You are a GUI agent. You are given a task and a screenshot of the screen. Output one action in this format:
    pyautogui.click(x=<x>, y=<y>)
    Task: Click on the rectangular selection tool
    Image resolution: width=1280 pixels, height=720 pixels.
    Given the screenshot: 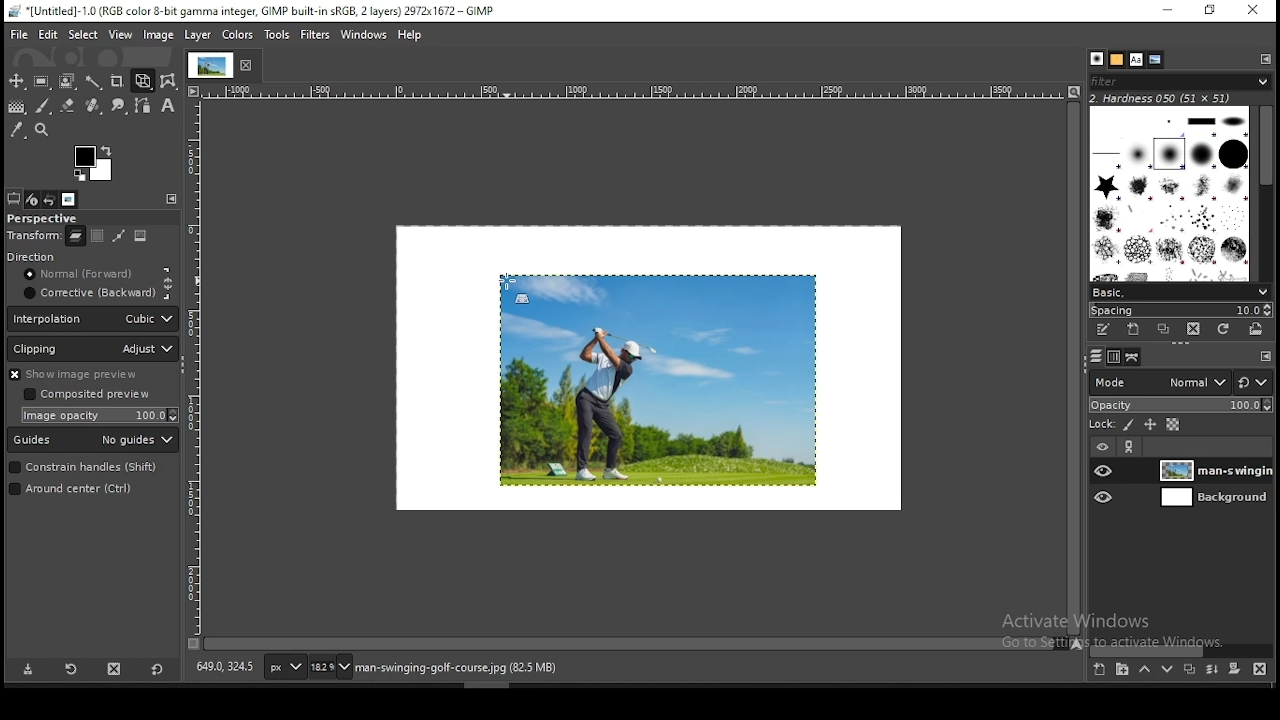 What is the action you would take?
    pyautogui.click(x=44, y=82)
    